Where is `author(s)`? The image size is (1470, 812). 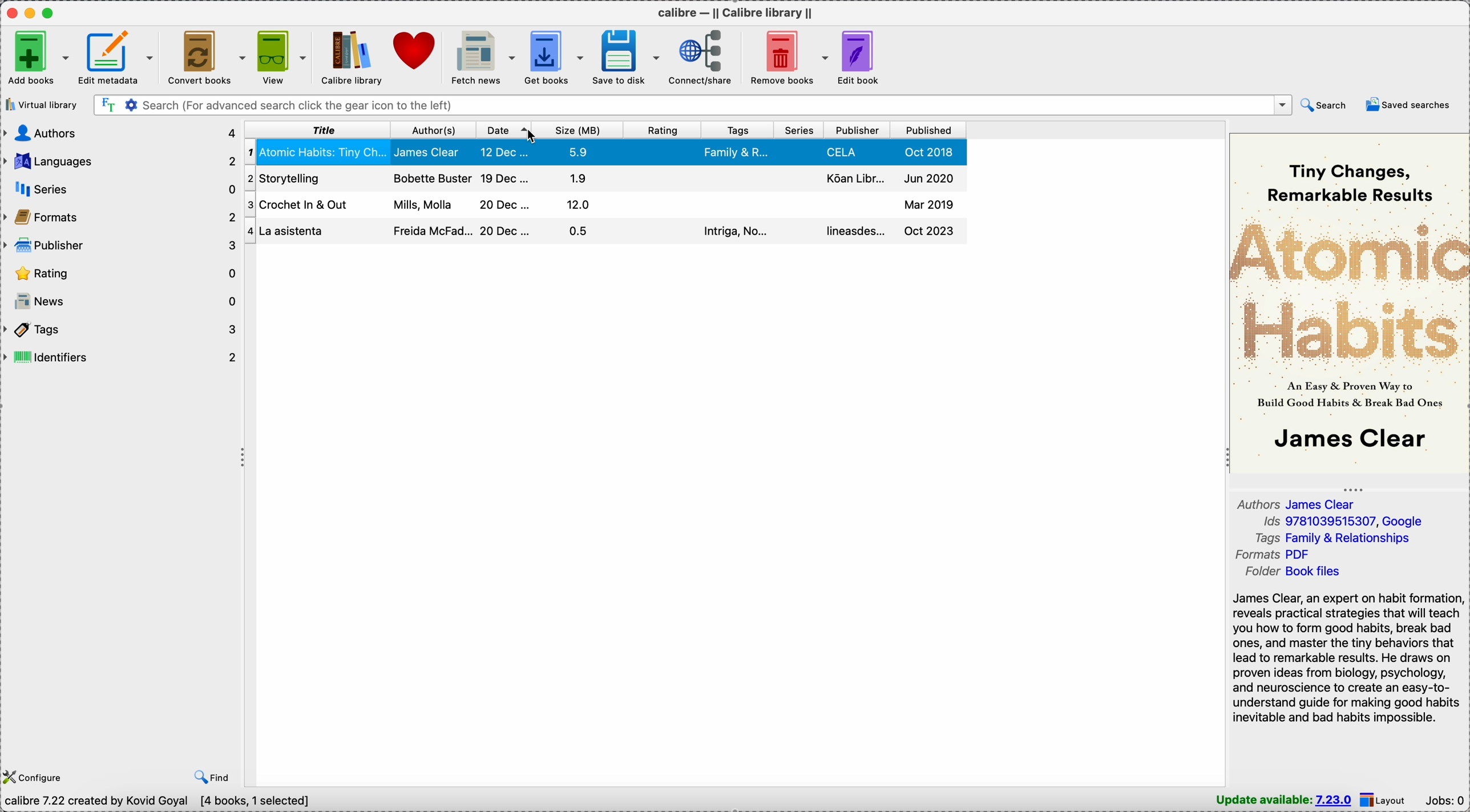
author(s) is located at coordinates (432, 131).